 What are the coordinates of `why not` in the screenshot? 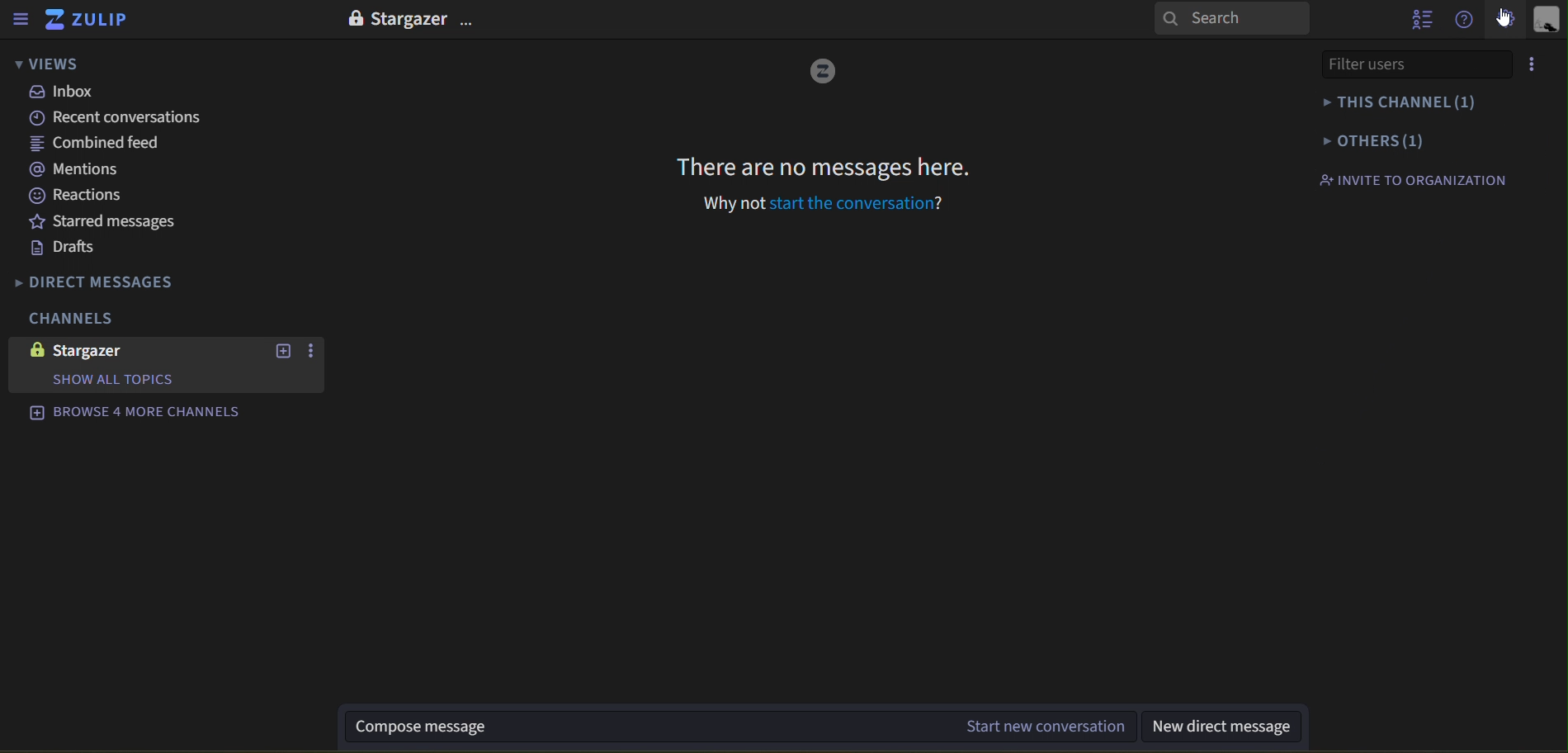 It's located at (730, 206).